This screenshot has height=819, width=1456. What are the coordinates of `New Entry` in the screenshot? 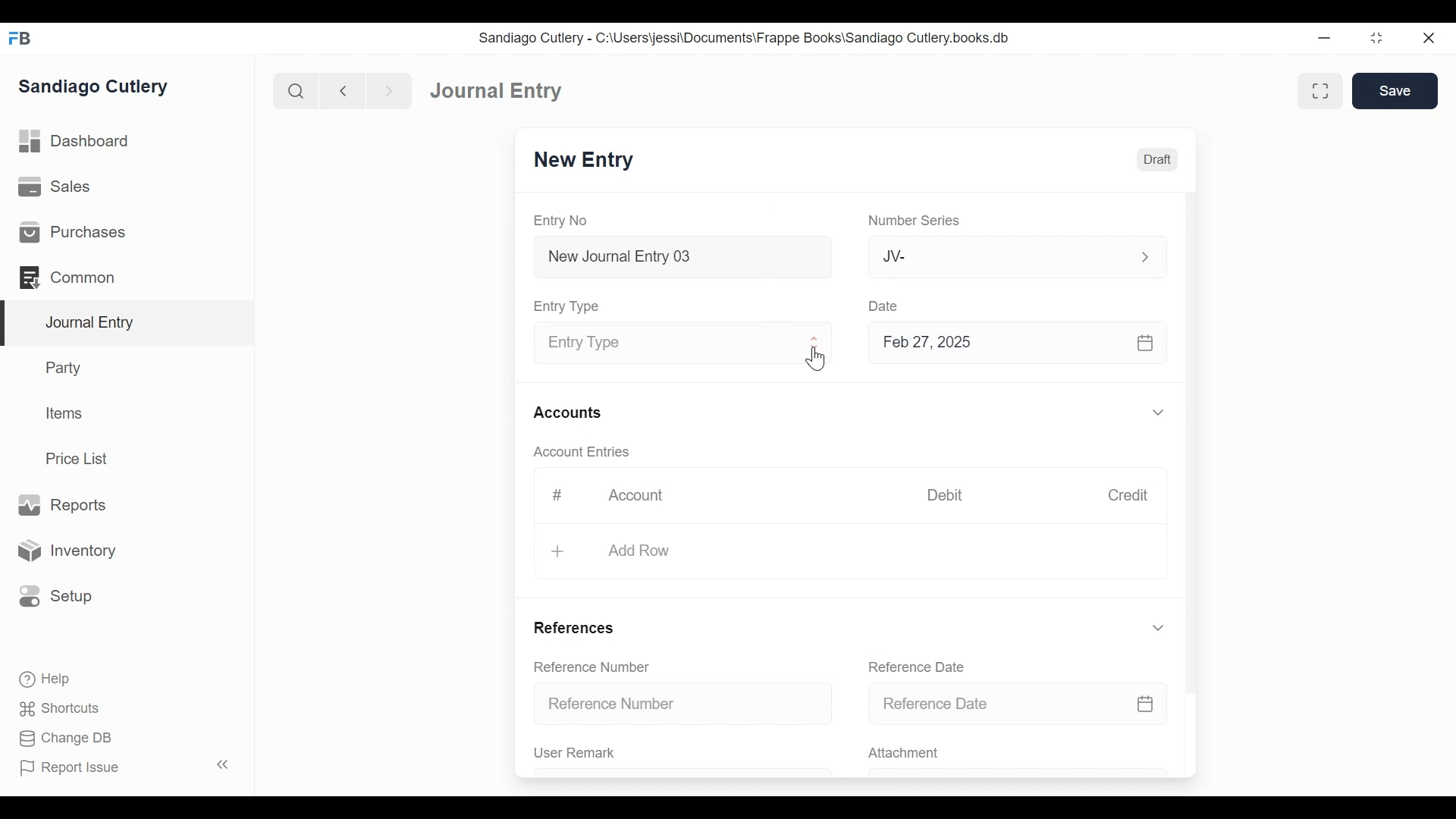 It's located at (585, 161).